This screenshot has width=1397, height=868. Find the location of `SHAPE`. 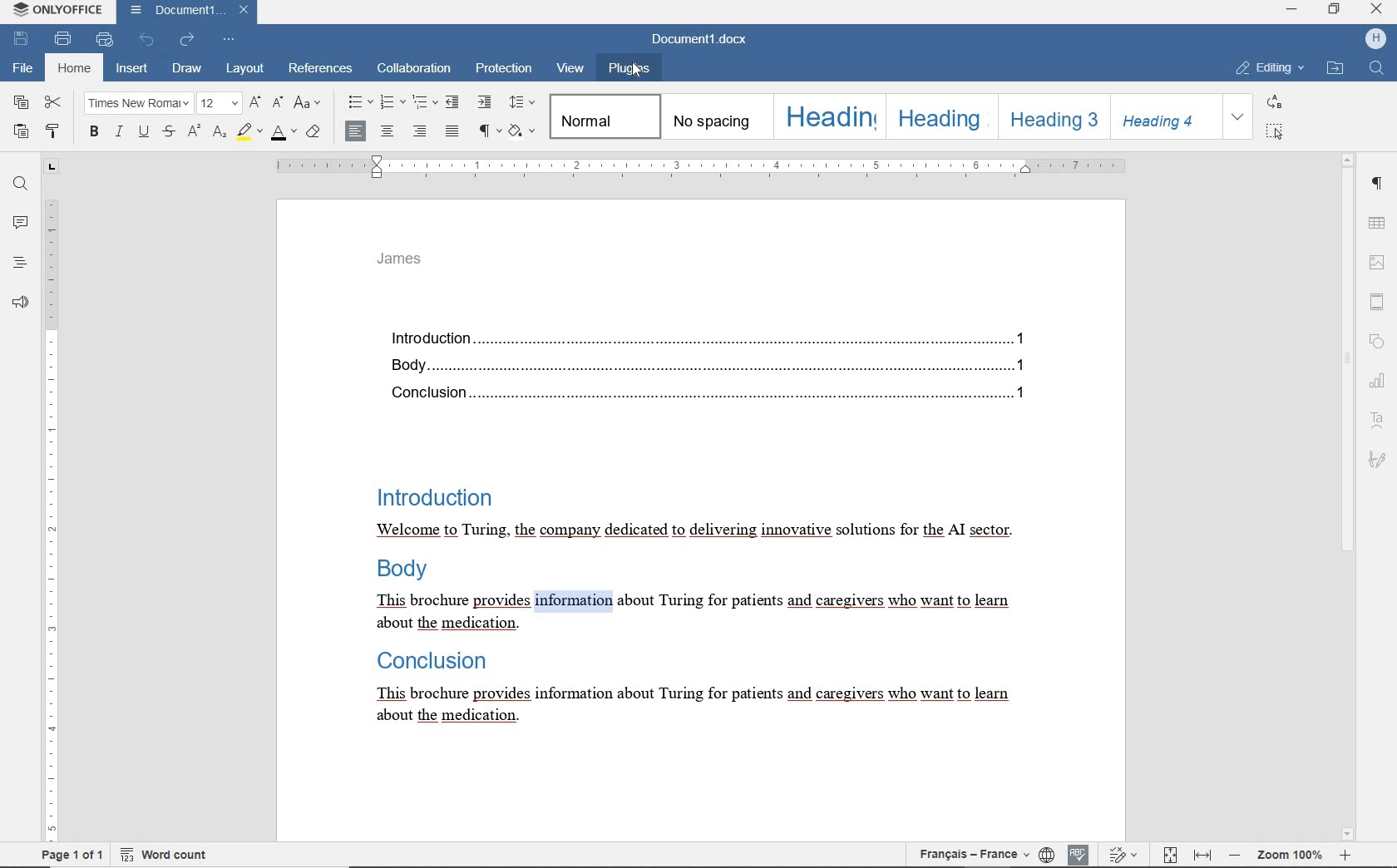

SHAPE is located at coordinates (1375, 340).